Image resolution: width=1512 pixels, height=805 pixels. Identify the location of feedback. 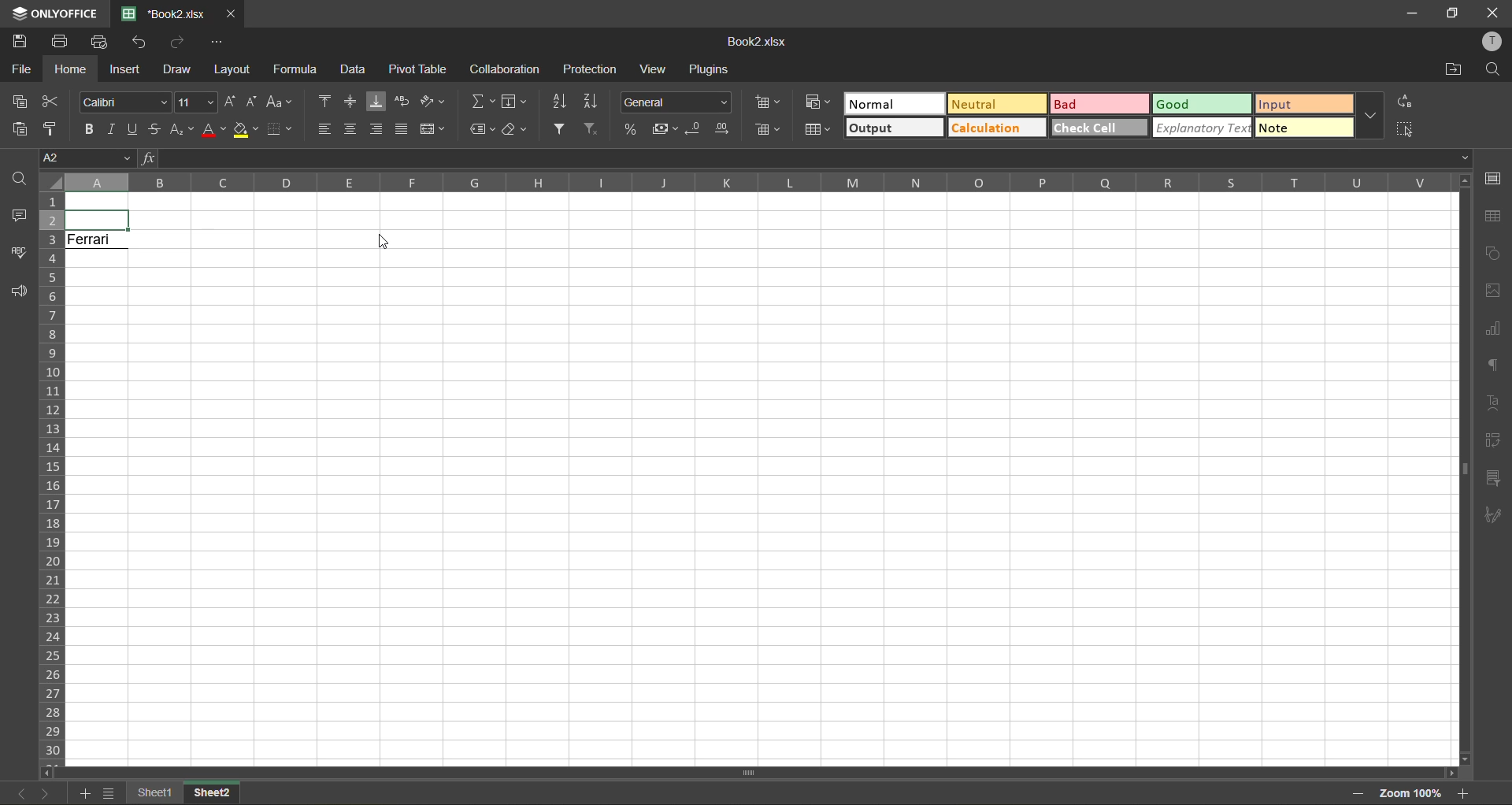
(20, 292).